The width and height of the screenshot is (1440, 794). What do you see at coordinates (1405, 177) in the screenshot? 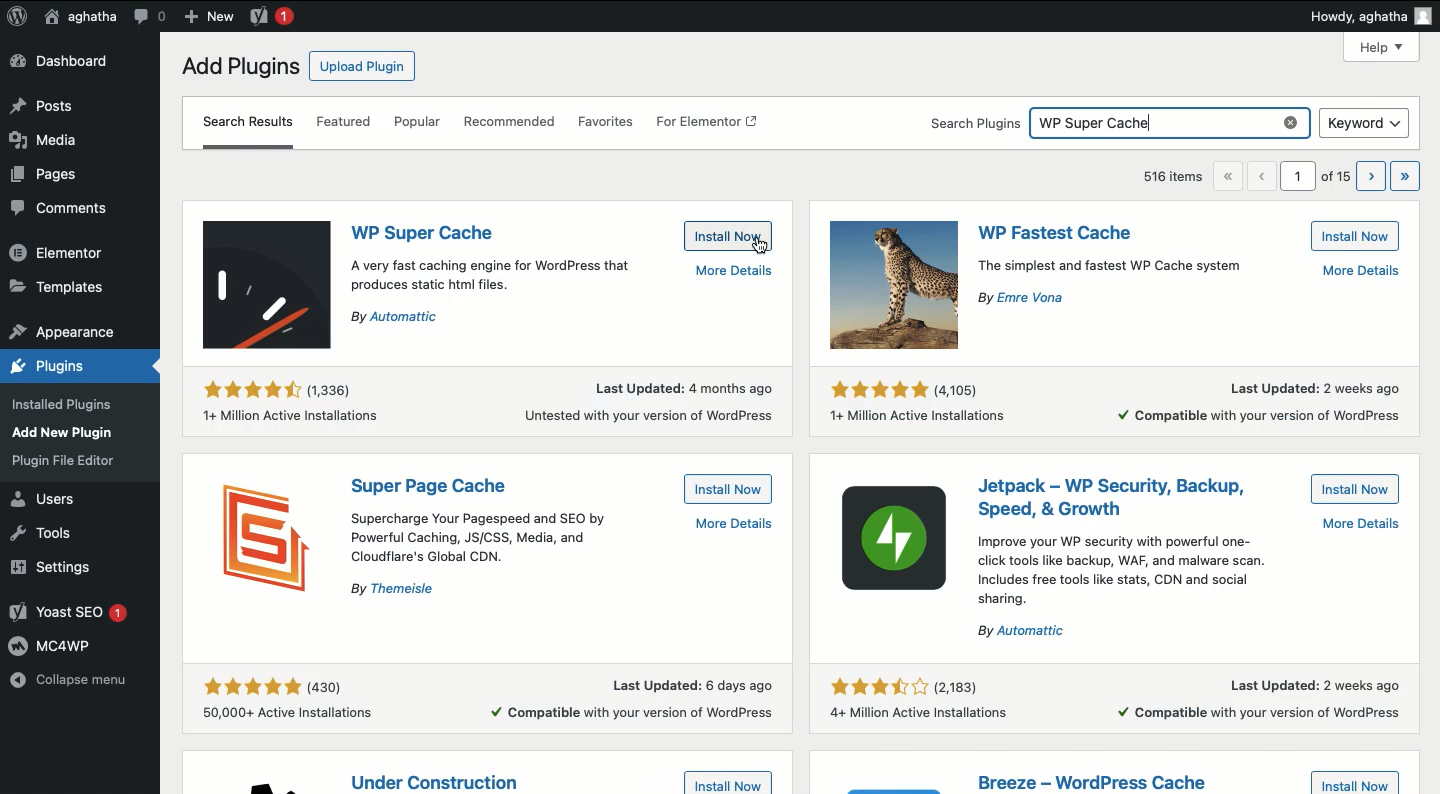
I see `last page` at bounding box center [1405, 177].